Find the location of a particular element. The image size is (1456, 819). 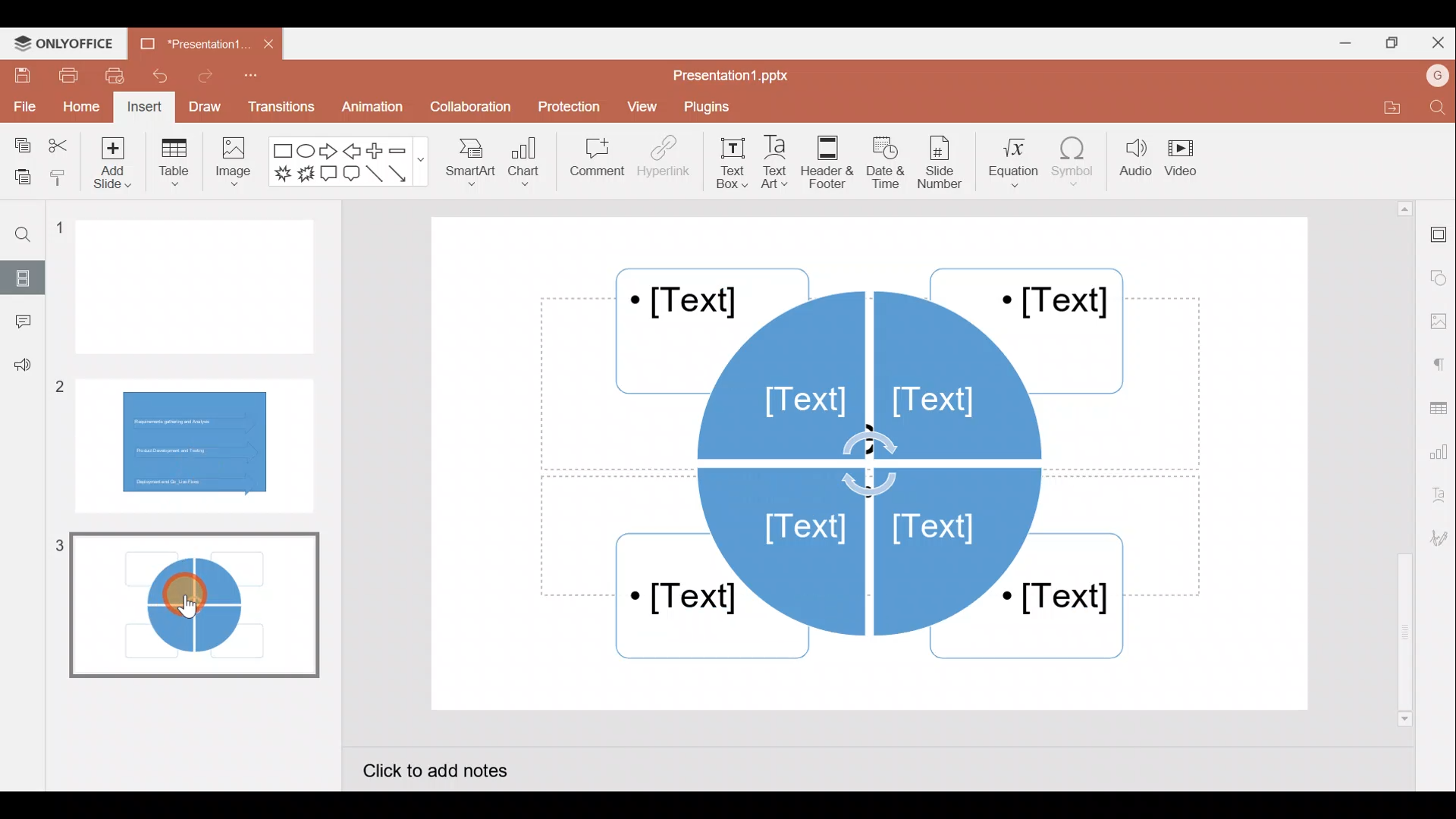

Chart is located at coordinates (528, 166).